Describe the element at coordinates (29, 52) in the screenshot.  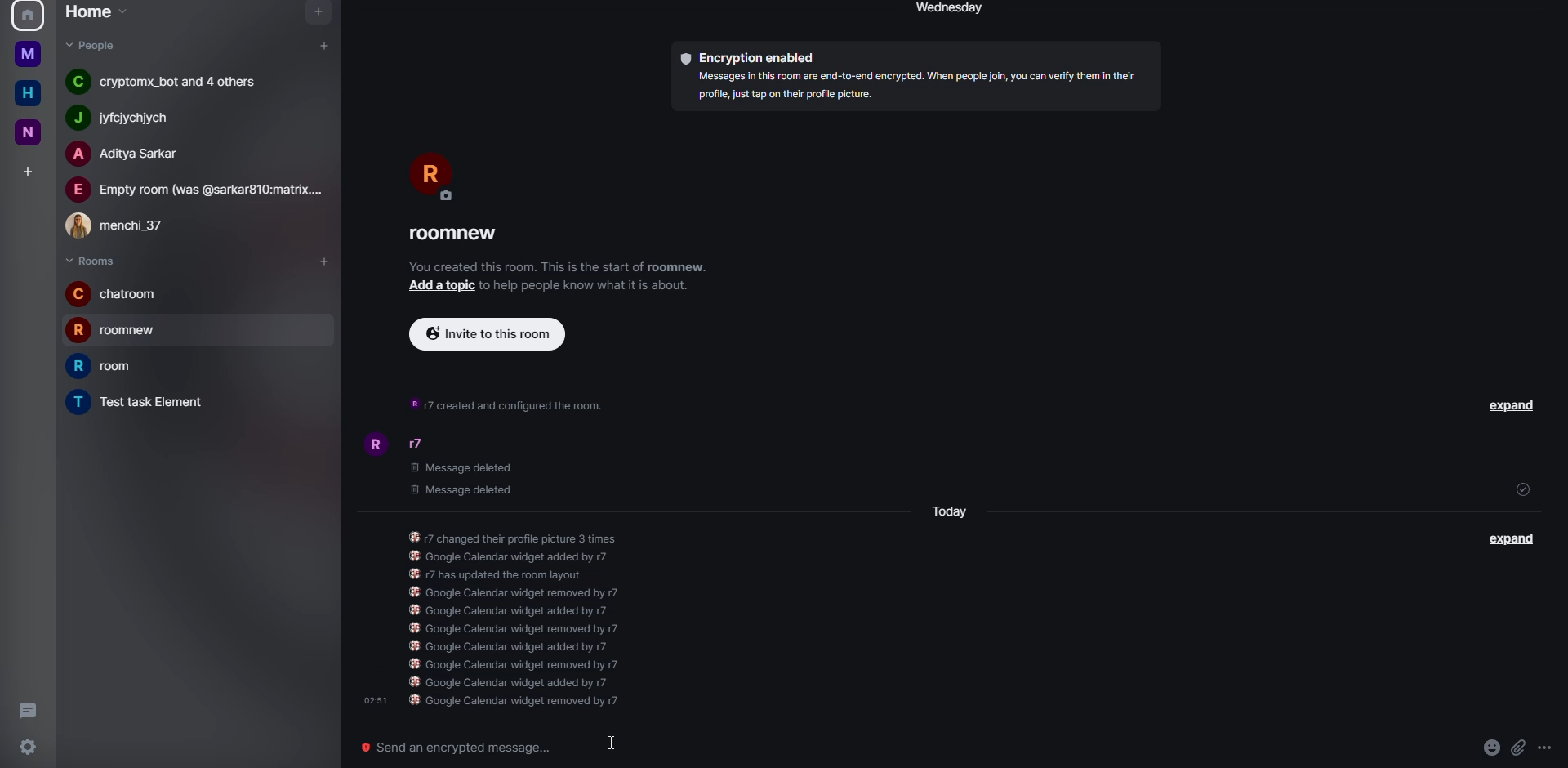
I see `home` at that location.